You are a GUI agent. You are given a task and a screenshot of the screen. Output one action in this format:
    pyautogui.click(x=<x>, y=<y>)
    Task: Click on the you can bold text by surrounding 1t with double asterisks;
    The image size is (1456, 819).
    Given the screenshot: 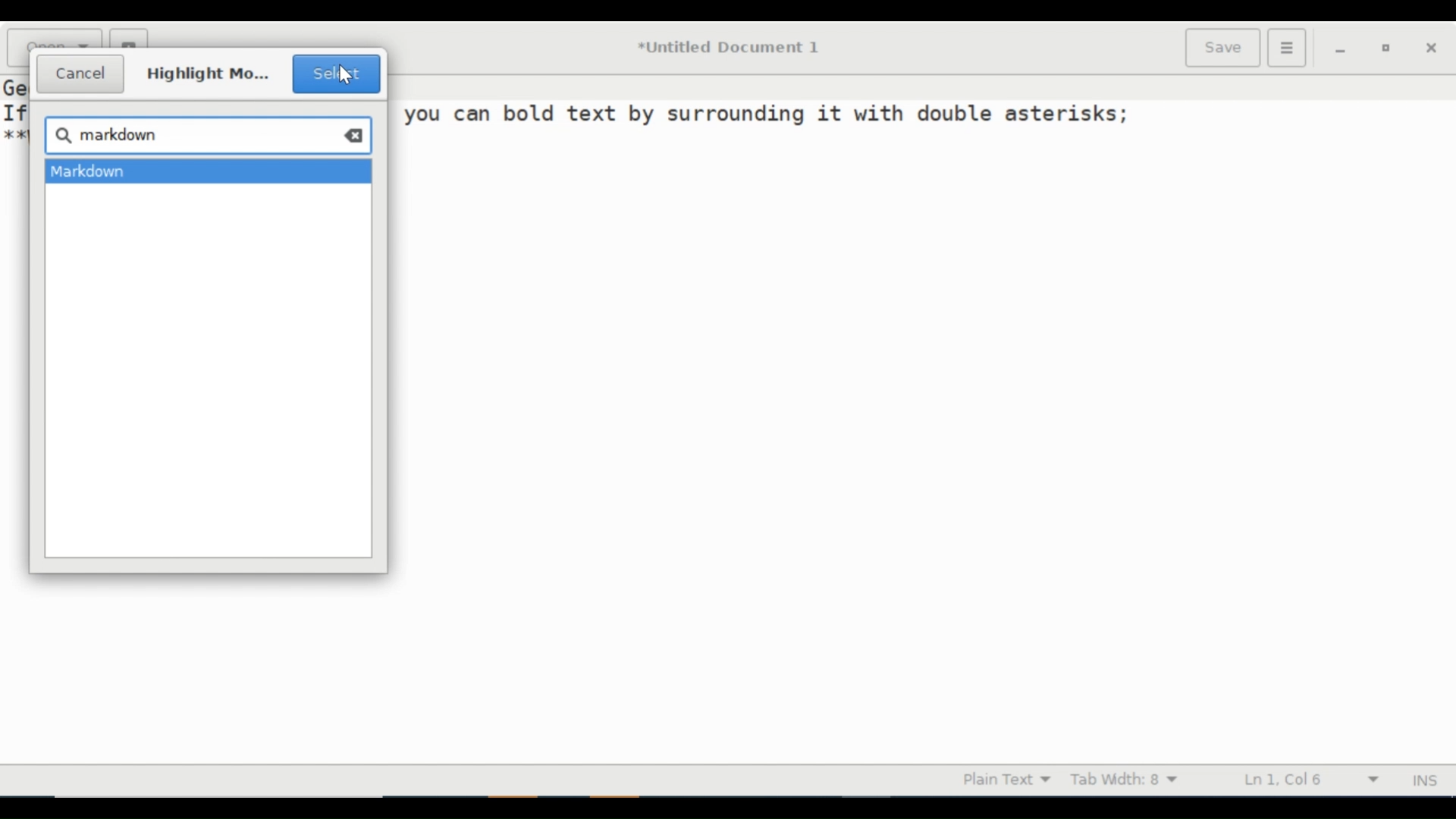 What is the action you would take?
    pyautogui.click(x=766, y=114)
    